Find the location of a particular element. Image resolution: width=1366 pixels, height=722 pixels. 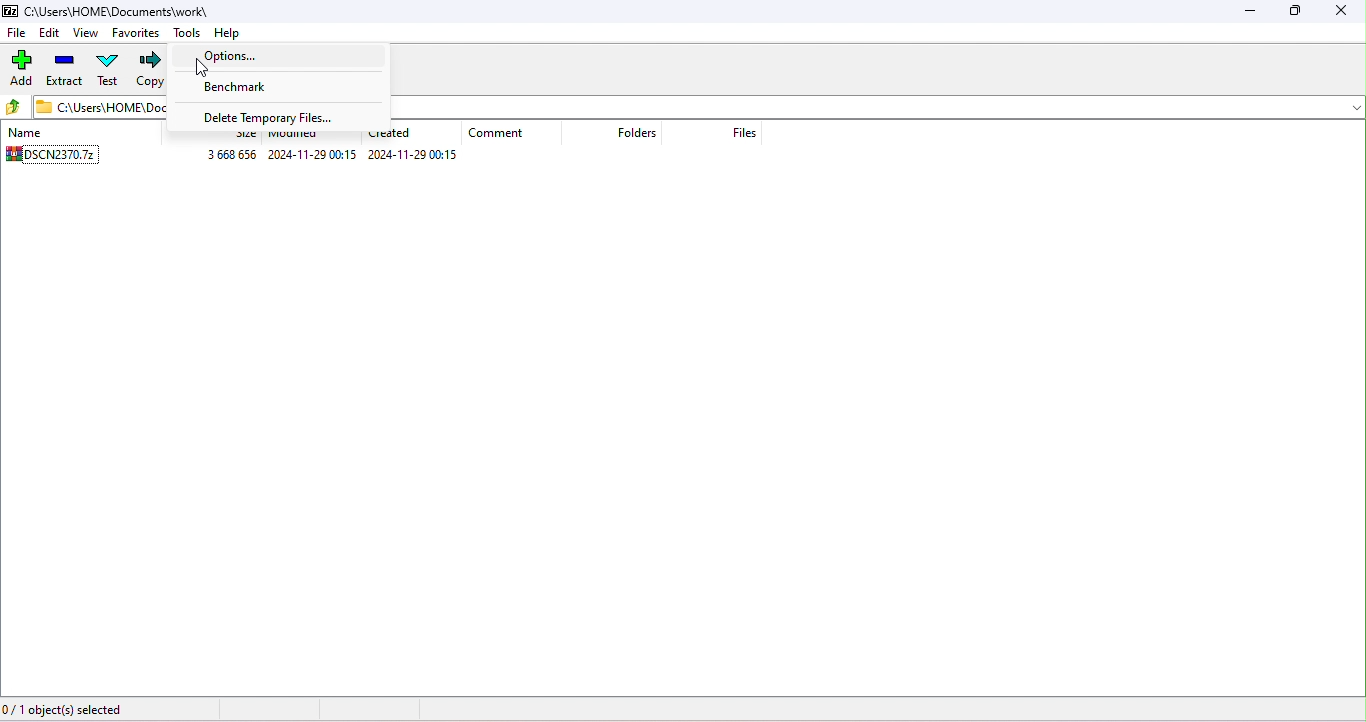

close is located at coordinates (1343, 11).